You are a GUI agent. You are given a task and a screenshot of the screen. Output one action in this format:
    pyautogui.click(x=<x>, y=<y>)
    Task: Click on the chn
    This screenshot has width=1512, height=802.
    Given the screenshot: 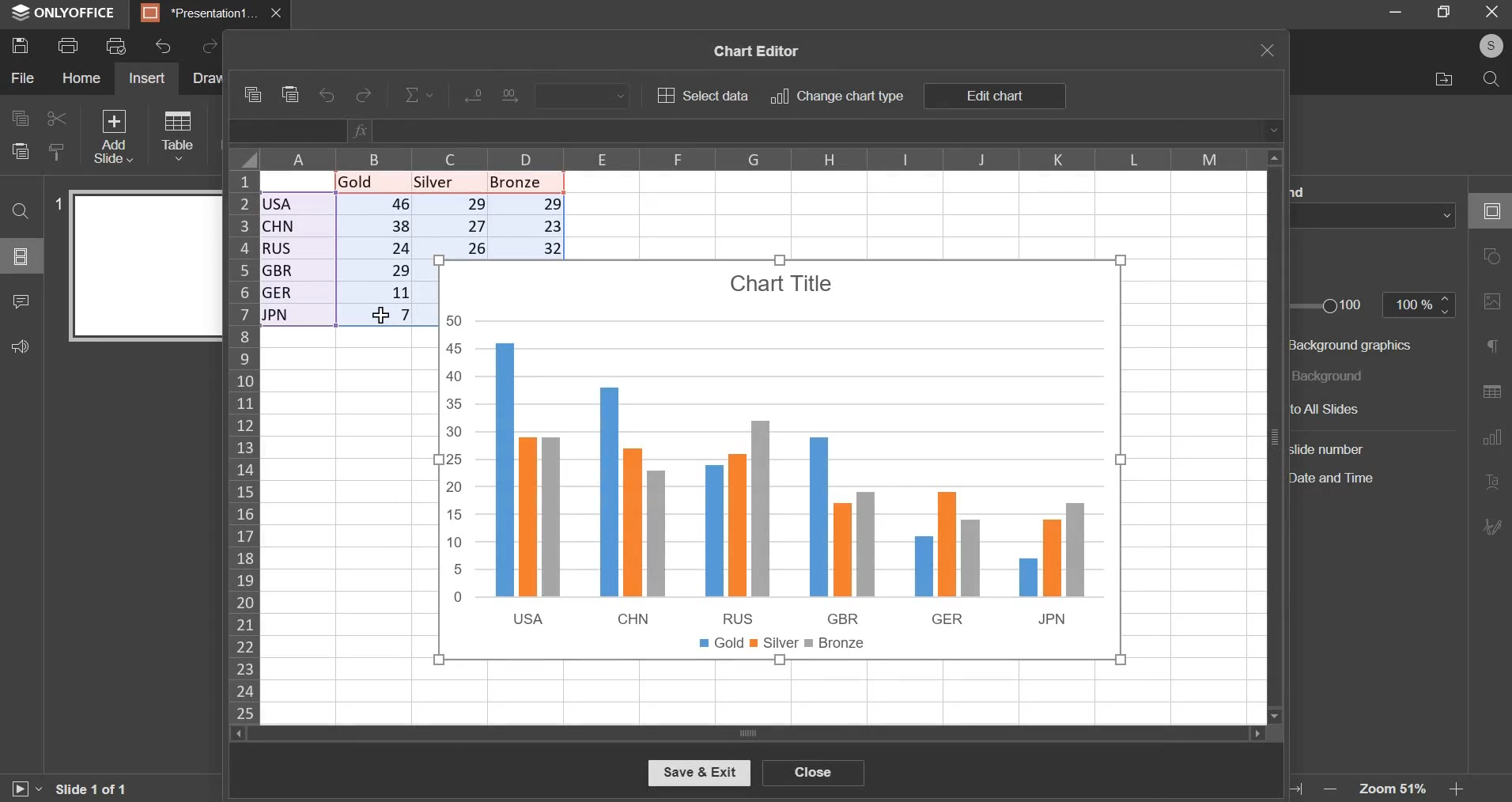 What is the action you would take?
    pyautogui.click(x=297, y=225)
    